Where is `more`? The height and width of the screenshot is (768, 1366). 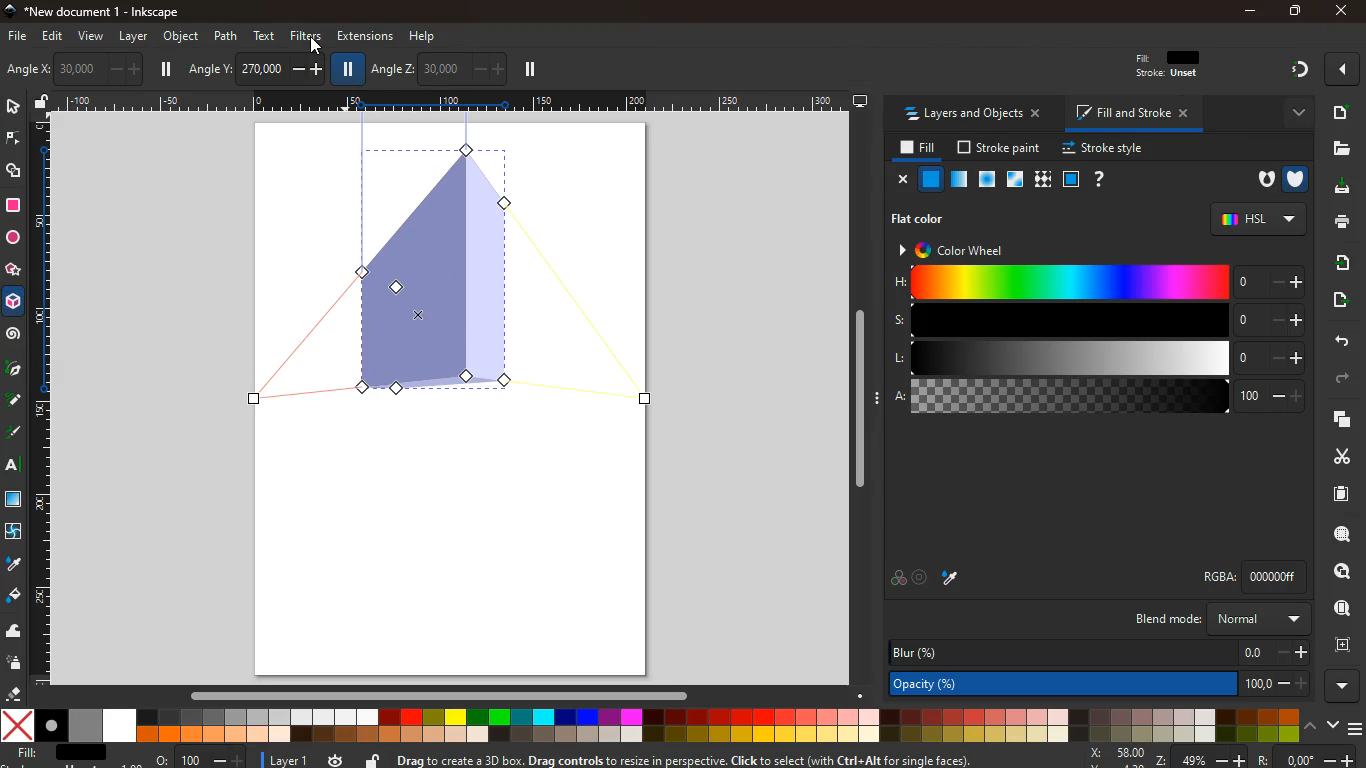
more is located at coordinates (1341, 685).